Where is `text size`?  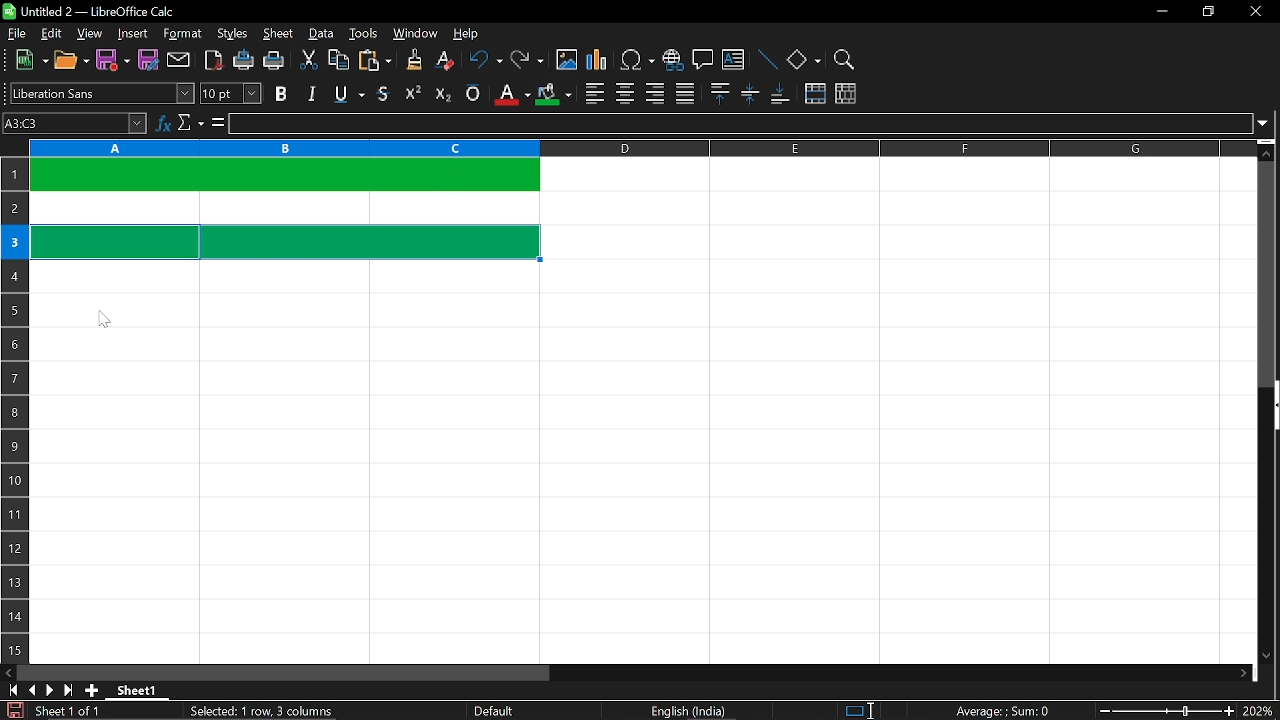
text size is located at coordinates (231, 93).